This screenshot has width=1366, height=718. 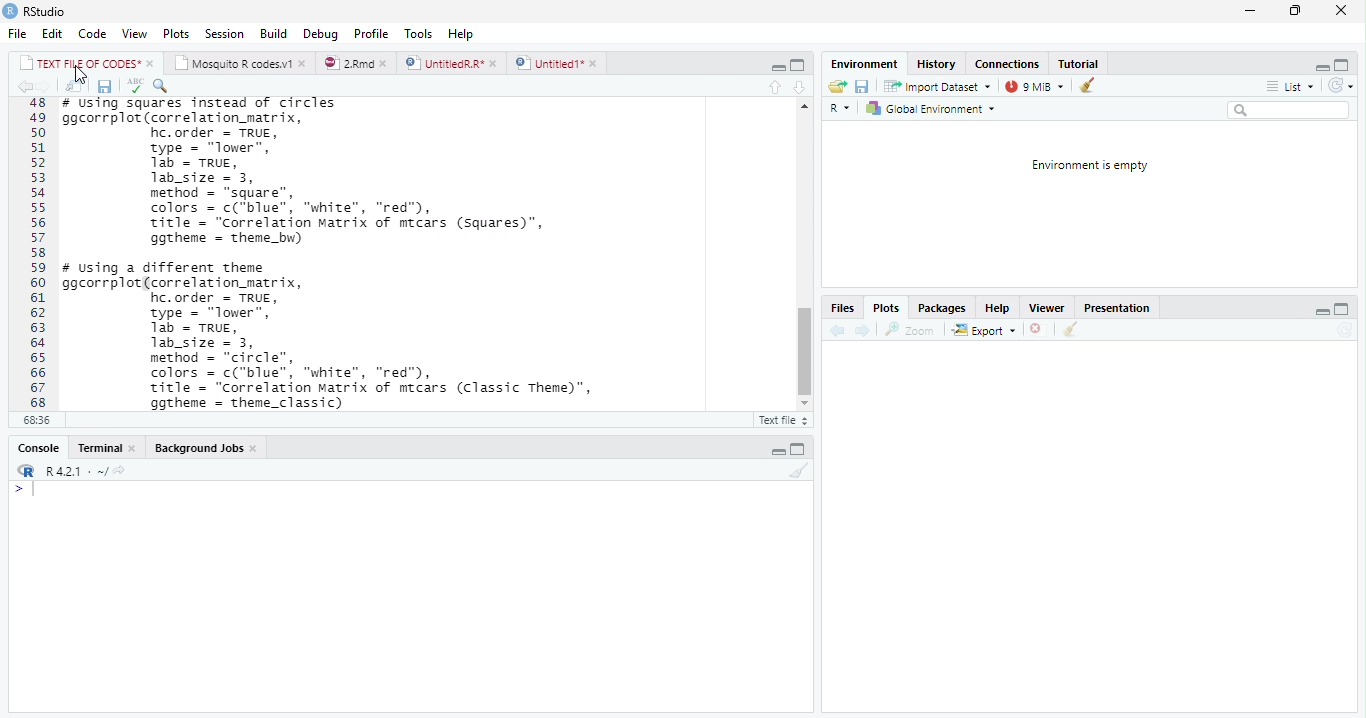 What do you see at coordinates (914, 330) in the screenshot?
I see `zoom` at bounding box center [914, 330].